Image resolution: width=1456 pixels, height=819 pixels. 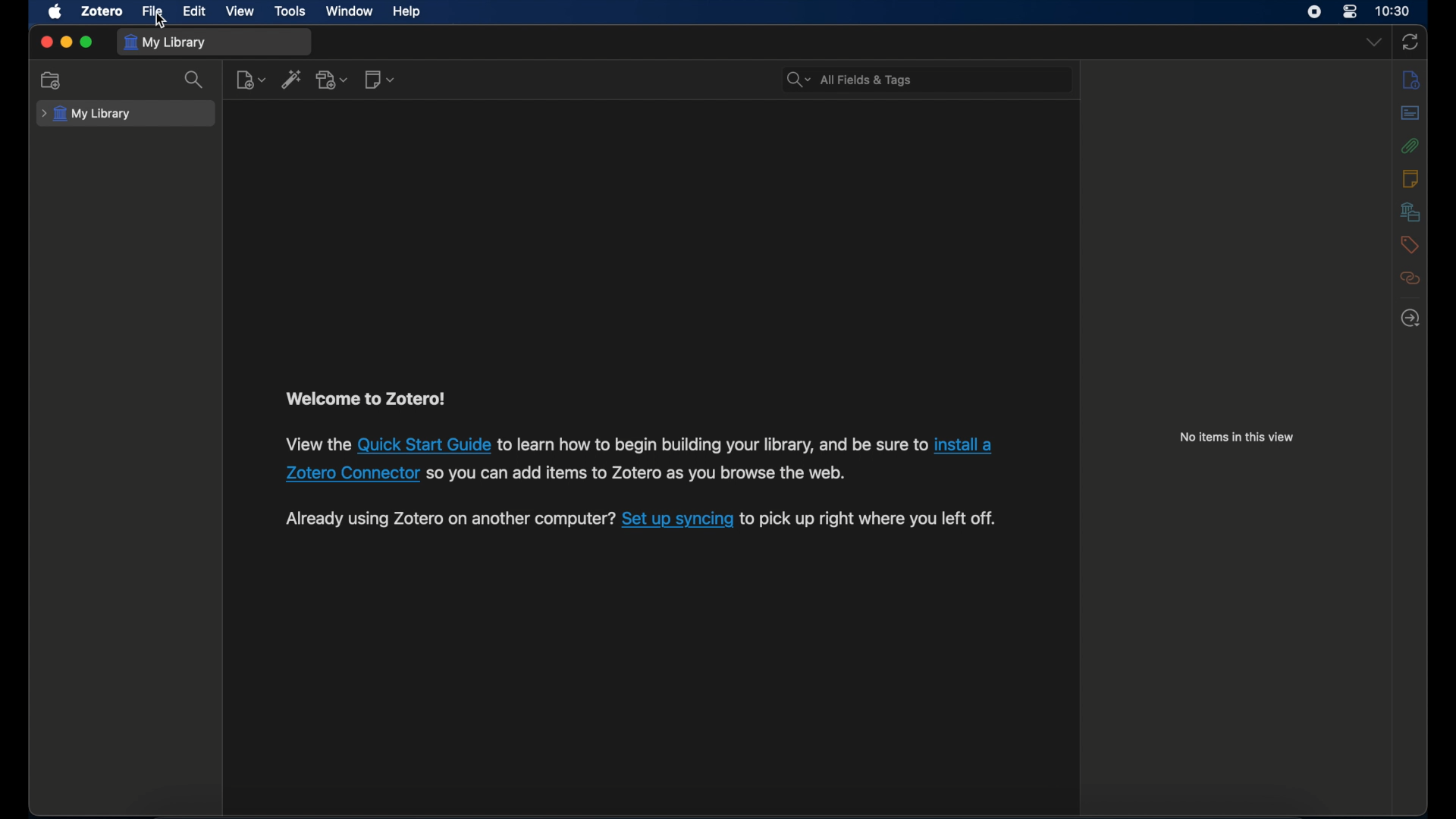 What do you see at coordinates (241, 12) in the screenshot?
I see `view` at bounding box center [241, 12].